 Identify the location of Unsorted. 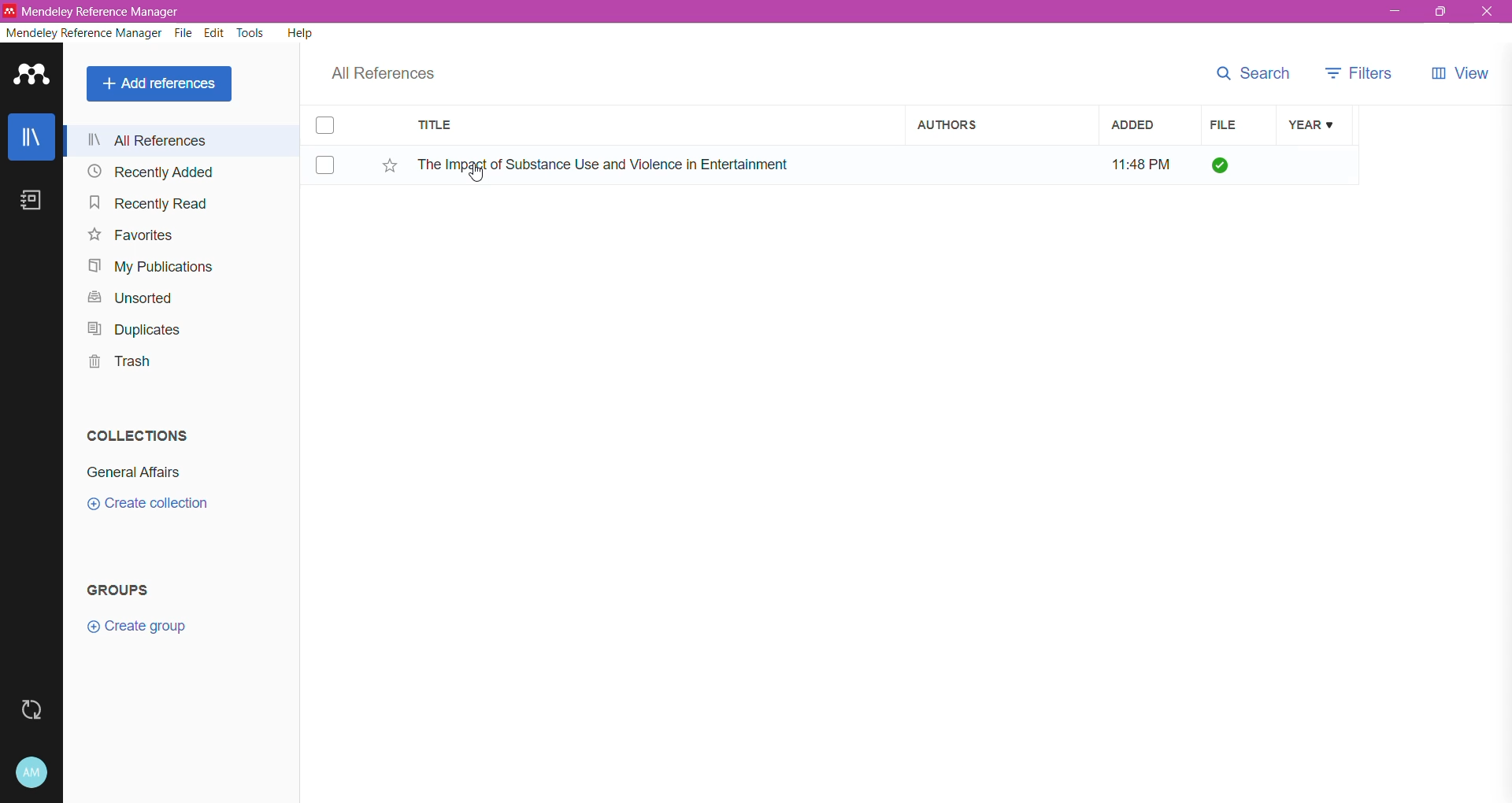
(129, 298).